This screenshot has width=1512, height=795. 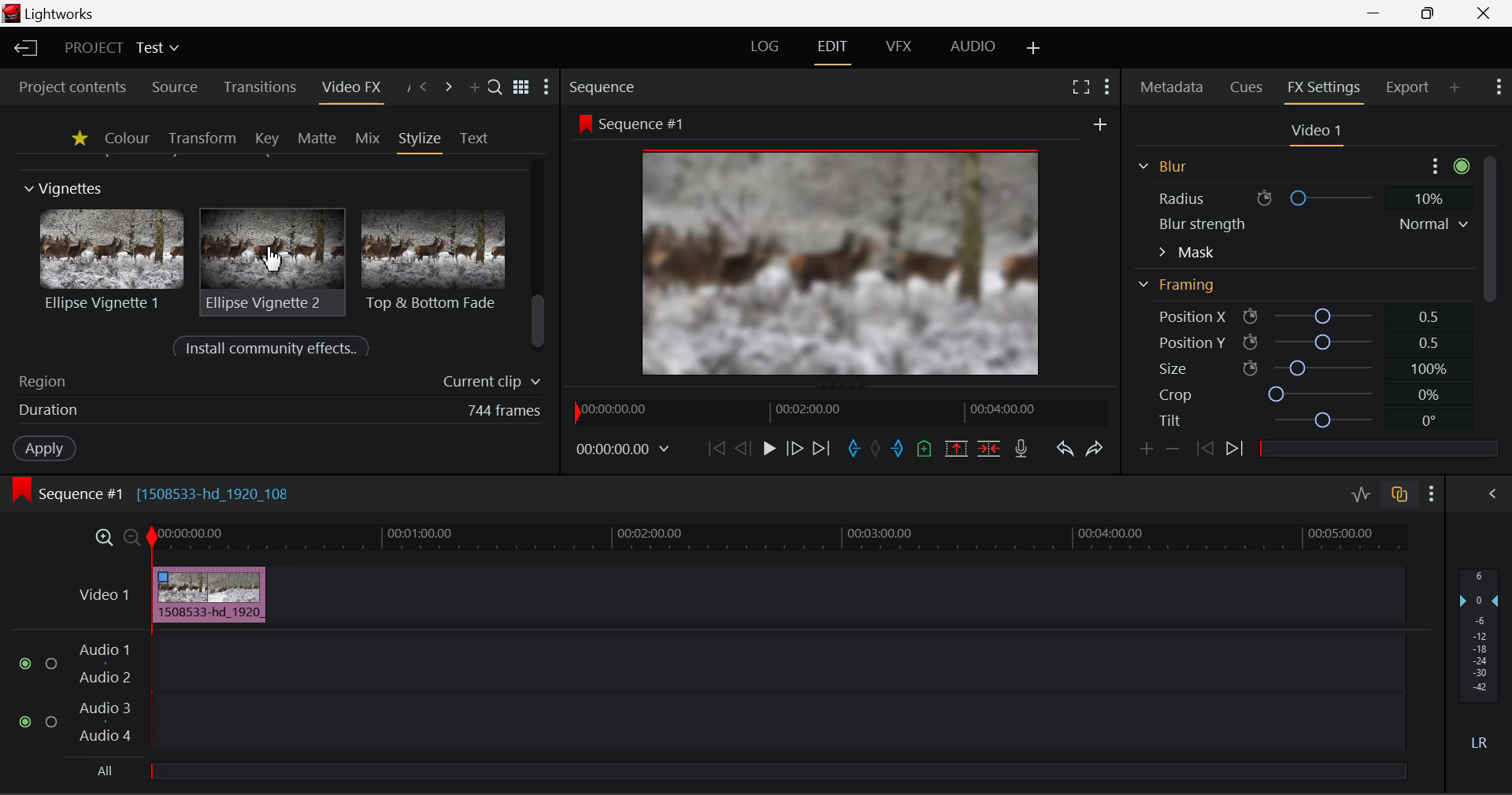 I want to click on Show Settings, so click(x=550, y=87).